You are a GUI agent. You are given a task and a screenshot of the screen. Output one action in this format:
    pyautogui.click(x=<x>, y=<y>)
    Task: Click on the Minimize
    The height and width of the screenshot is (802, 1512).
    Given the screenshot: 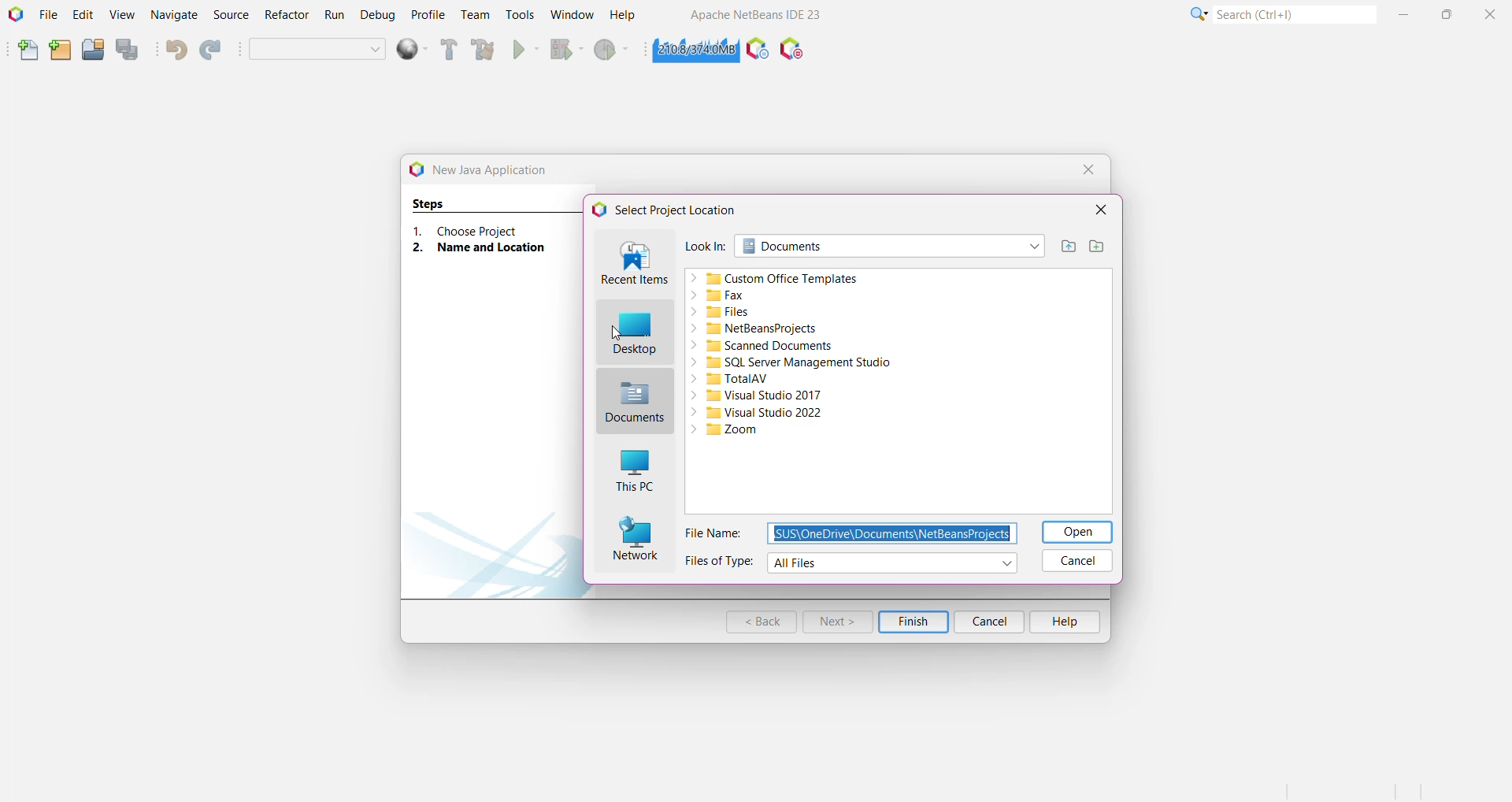 What is the action you would take?
    pyautogui.click(x=1404, y=16)
    